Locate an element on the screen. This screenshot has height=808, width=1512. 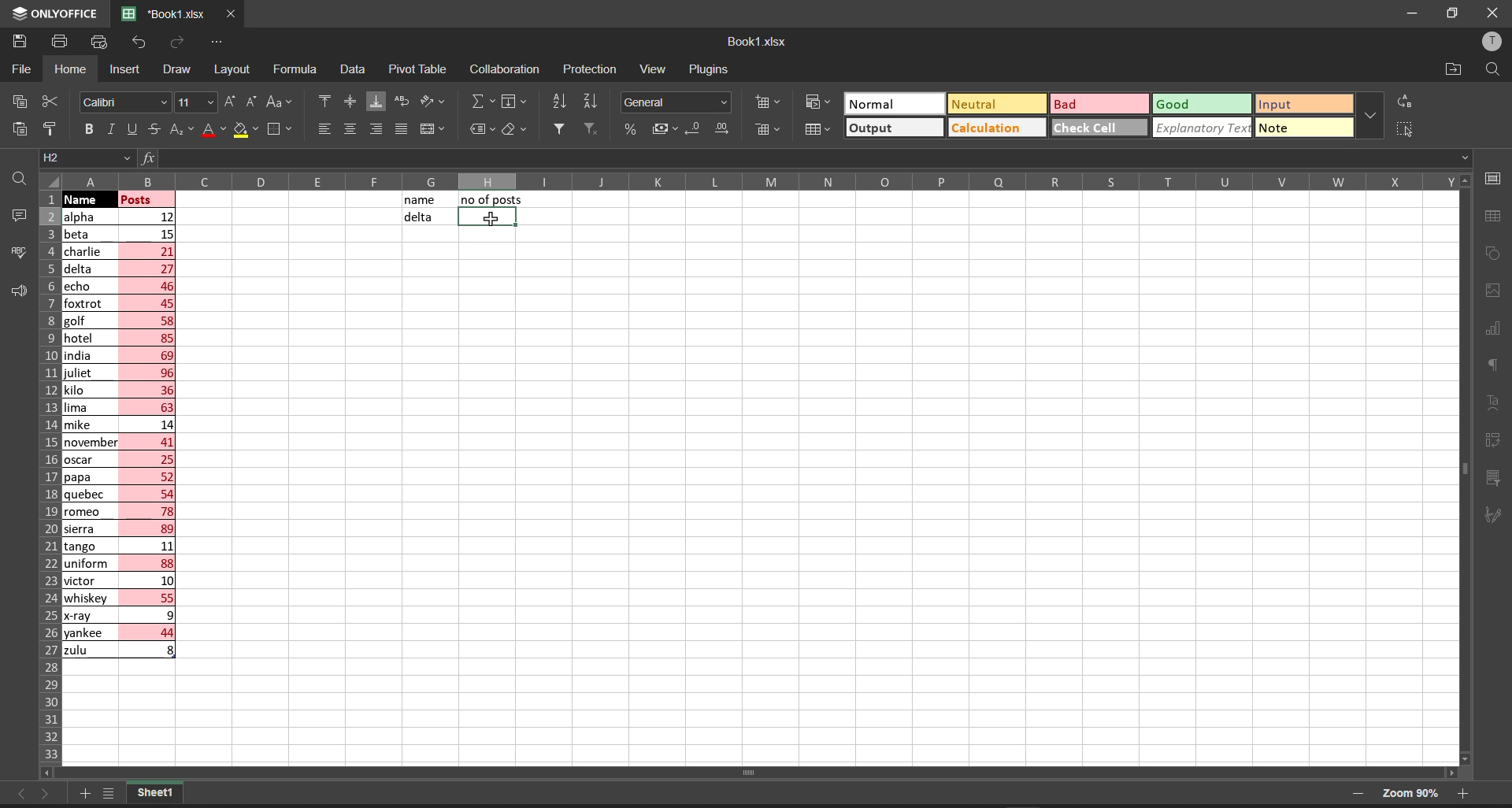
check cell is located at coordinates (1092, 128).